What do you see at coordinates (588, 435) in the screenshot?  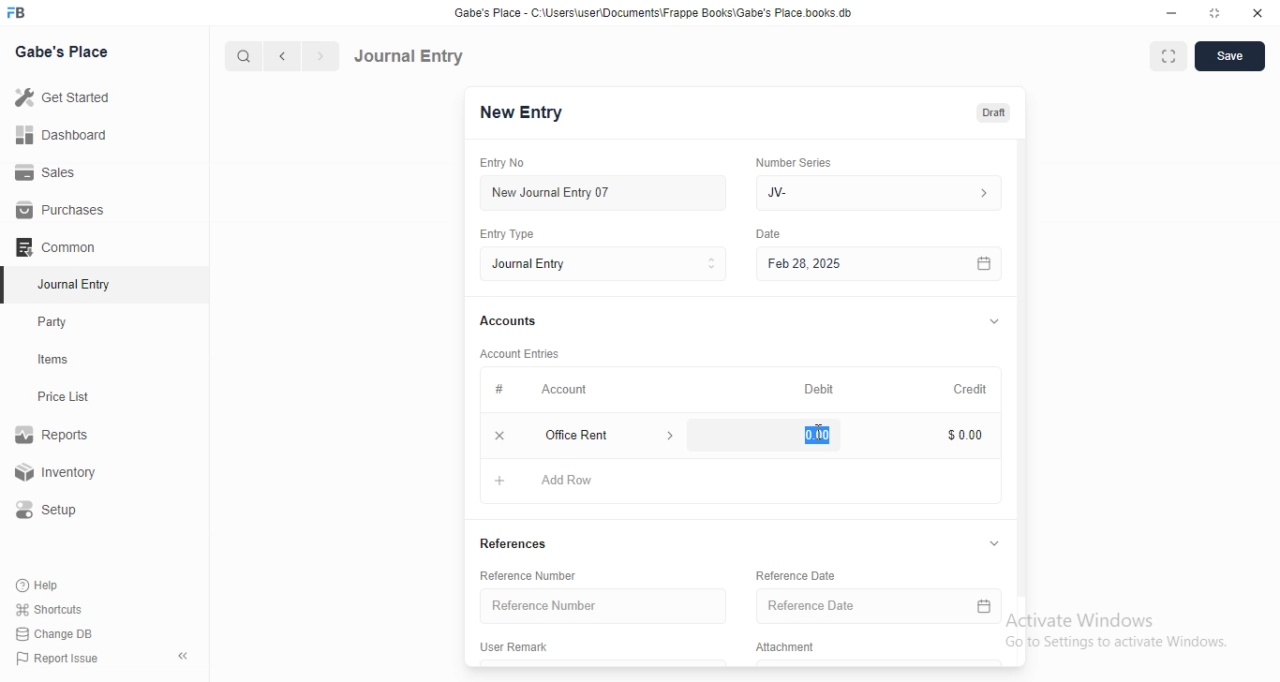 I see `x Office Rent >` at bounding box center [588, 435].